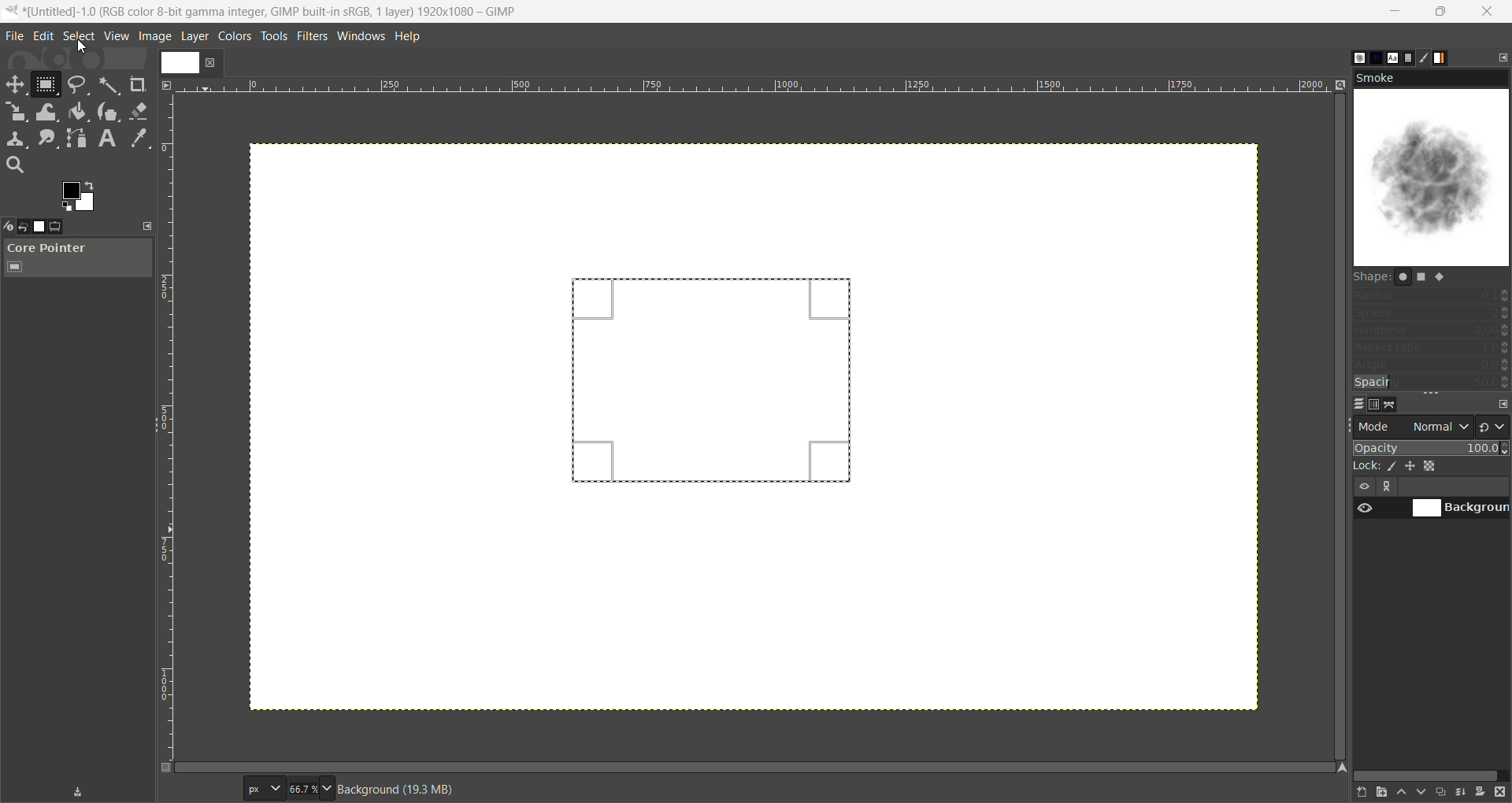  What do you see at coordinates (81, 790) in the screenshot?
I see `save device status` at bounding box center [81, 790].